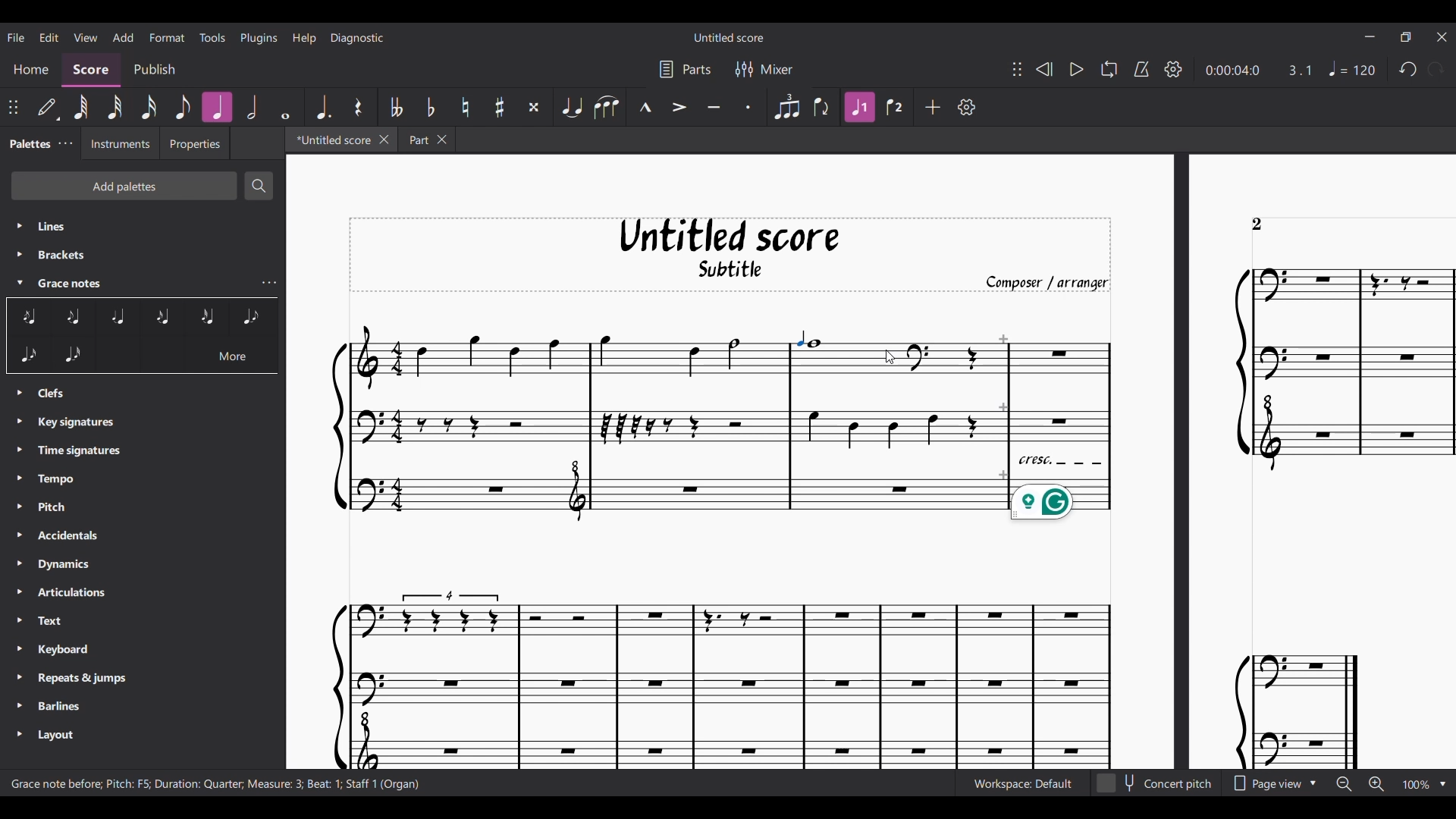 The width and height of the screenshot is (1456, 819). Describe the element at coordinates (607, 107) in the screenshot. I see `Slur` at that location.